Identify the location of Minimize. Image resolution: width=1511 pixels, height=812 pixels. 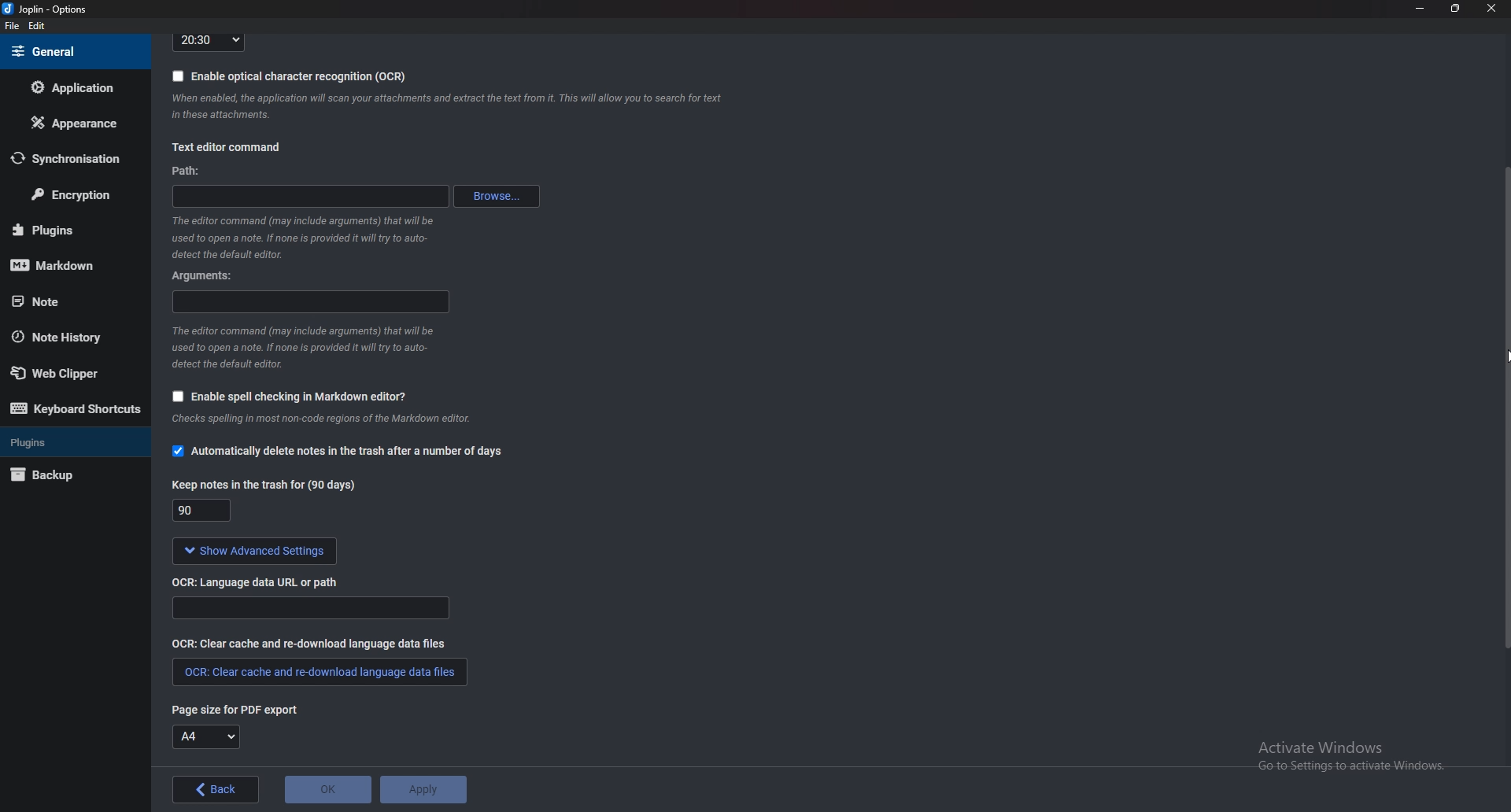
(1422, 8).